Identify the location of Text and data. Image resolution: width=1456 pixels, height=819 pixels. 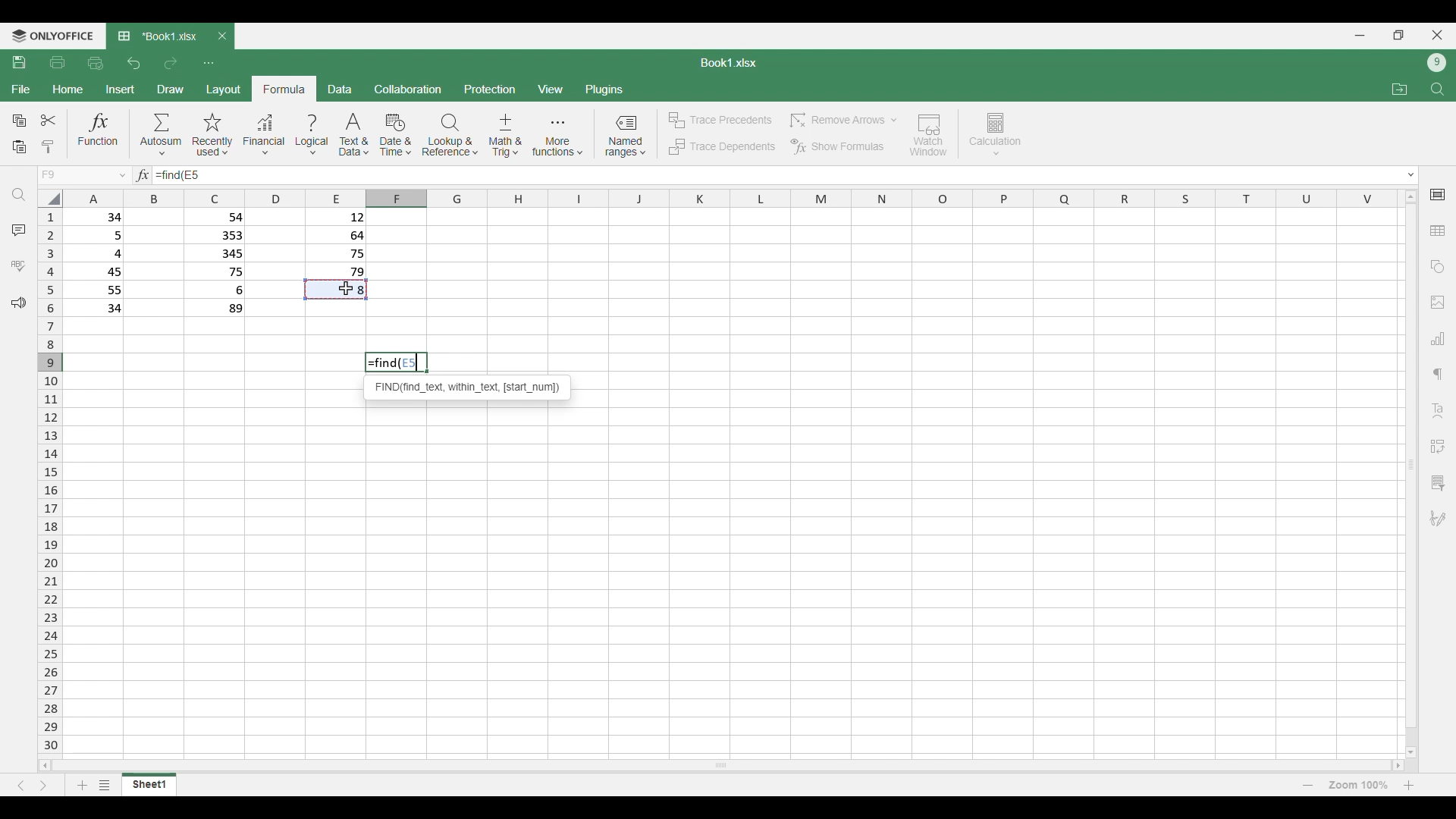
(354, 135).